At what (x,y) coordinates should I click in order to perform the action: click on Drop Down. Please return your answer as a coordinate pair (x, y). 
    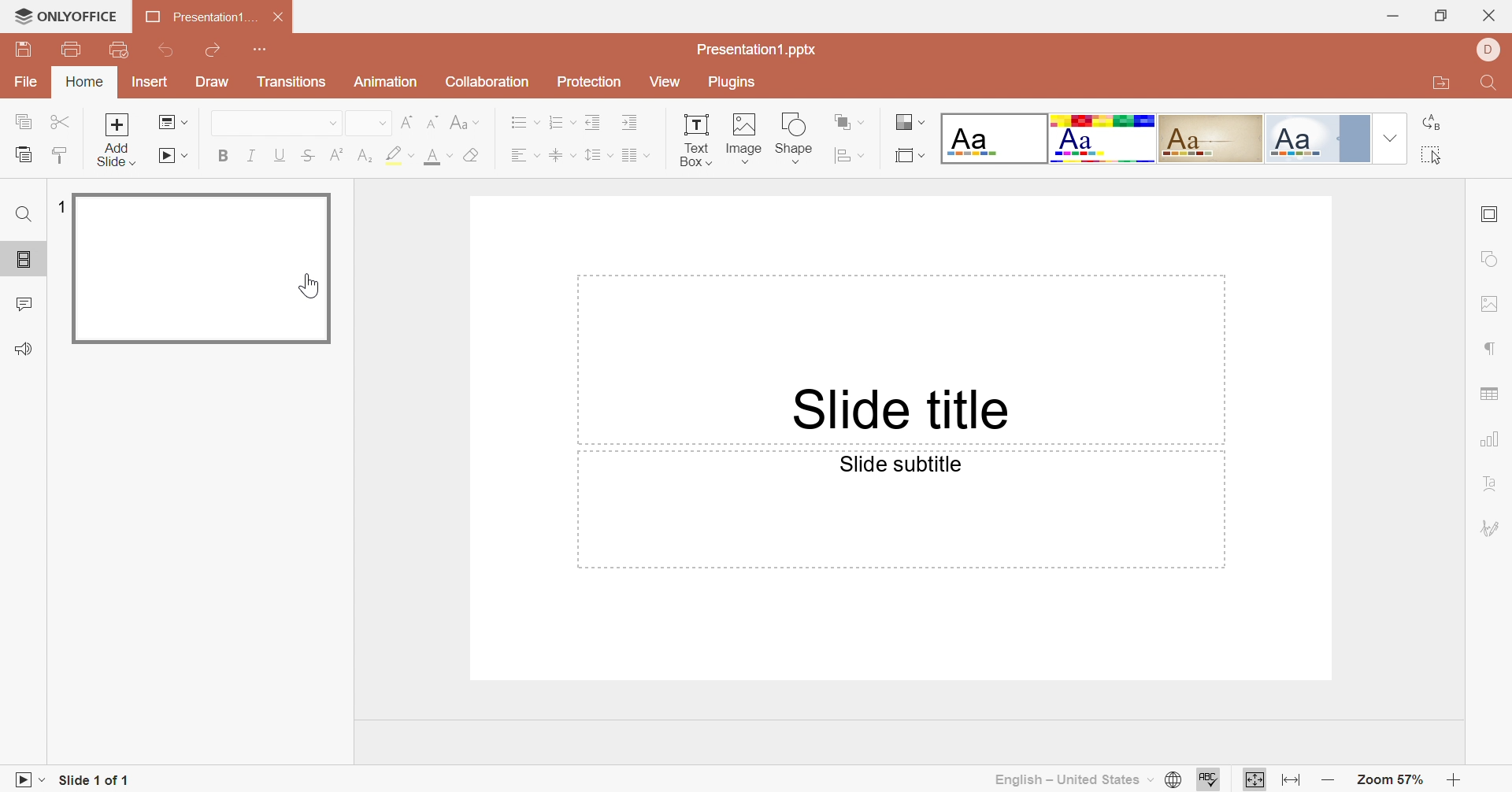
    Looking at the image, I should click on (574, 120).